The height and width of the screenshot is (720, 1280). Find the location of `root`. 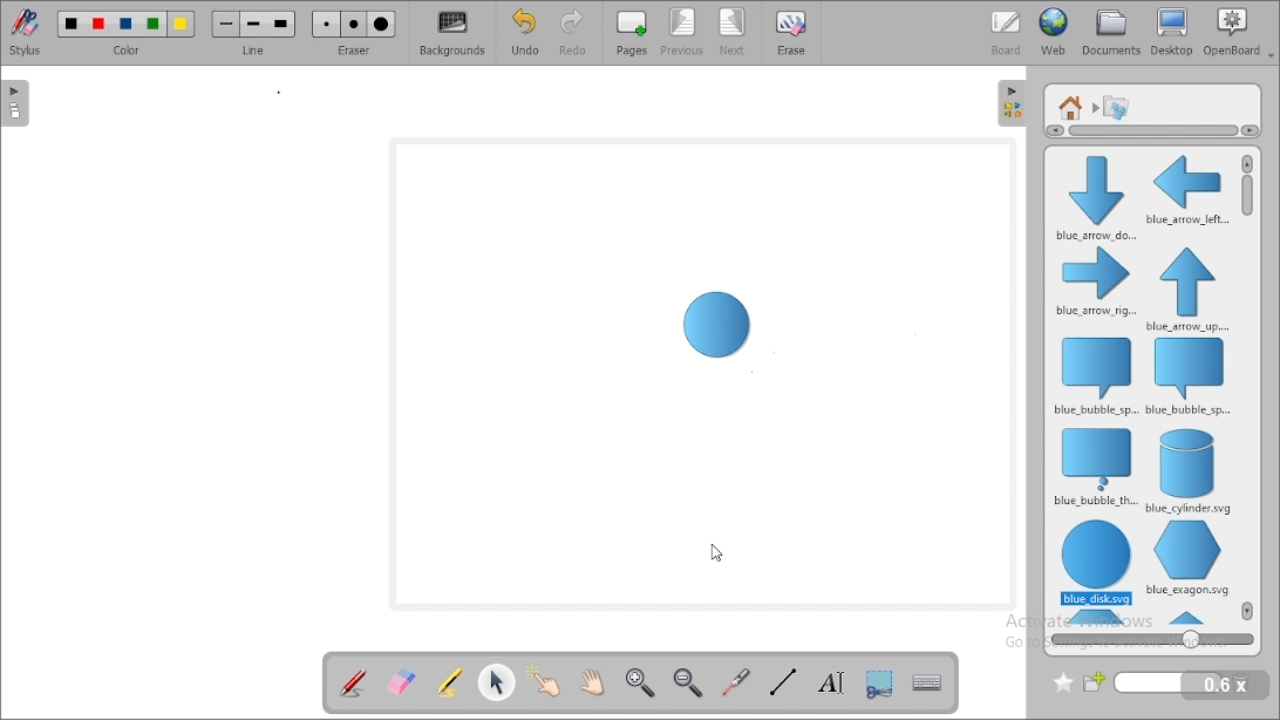

root is located at coordinates (1071, 107).